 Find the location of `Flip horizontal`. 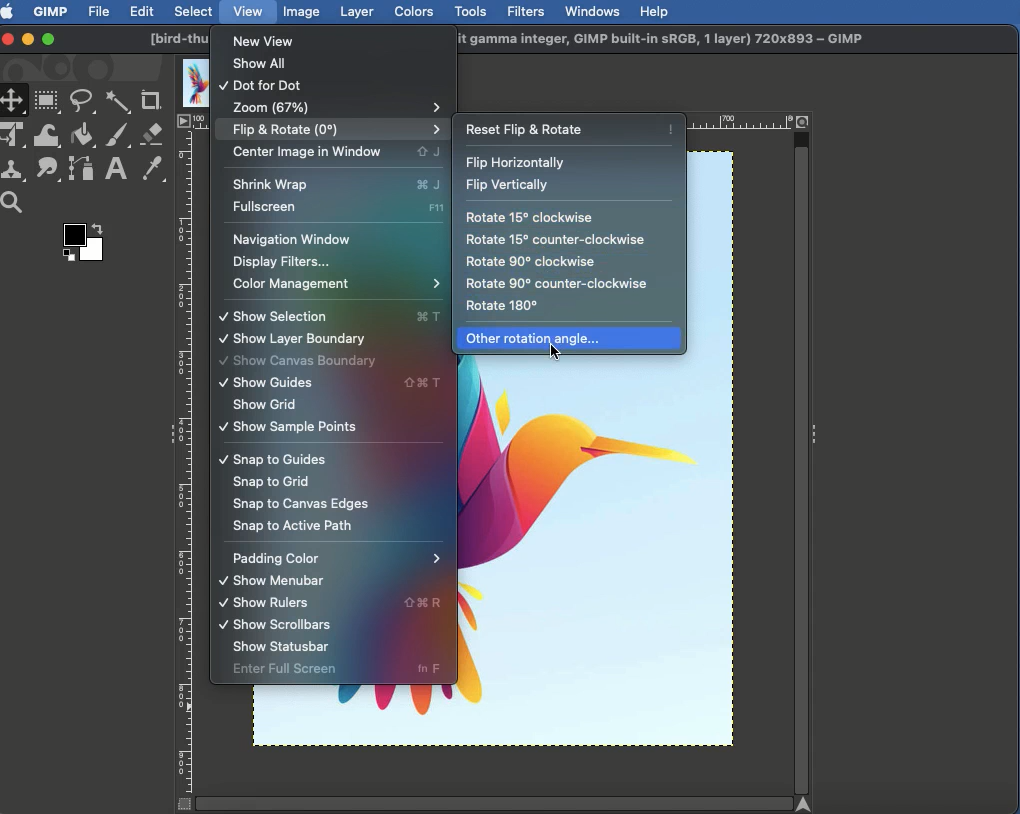

Flip horizontal is located at coordinates (520, 163).